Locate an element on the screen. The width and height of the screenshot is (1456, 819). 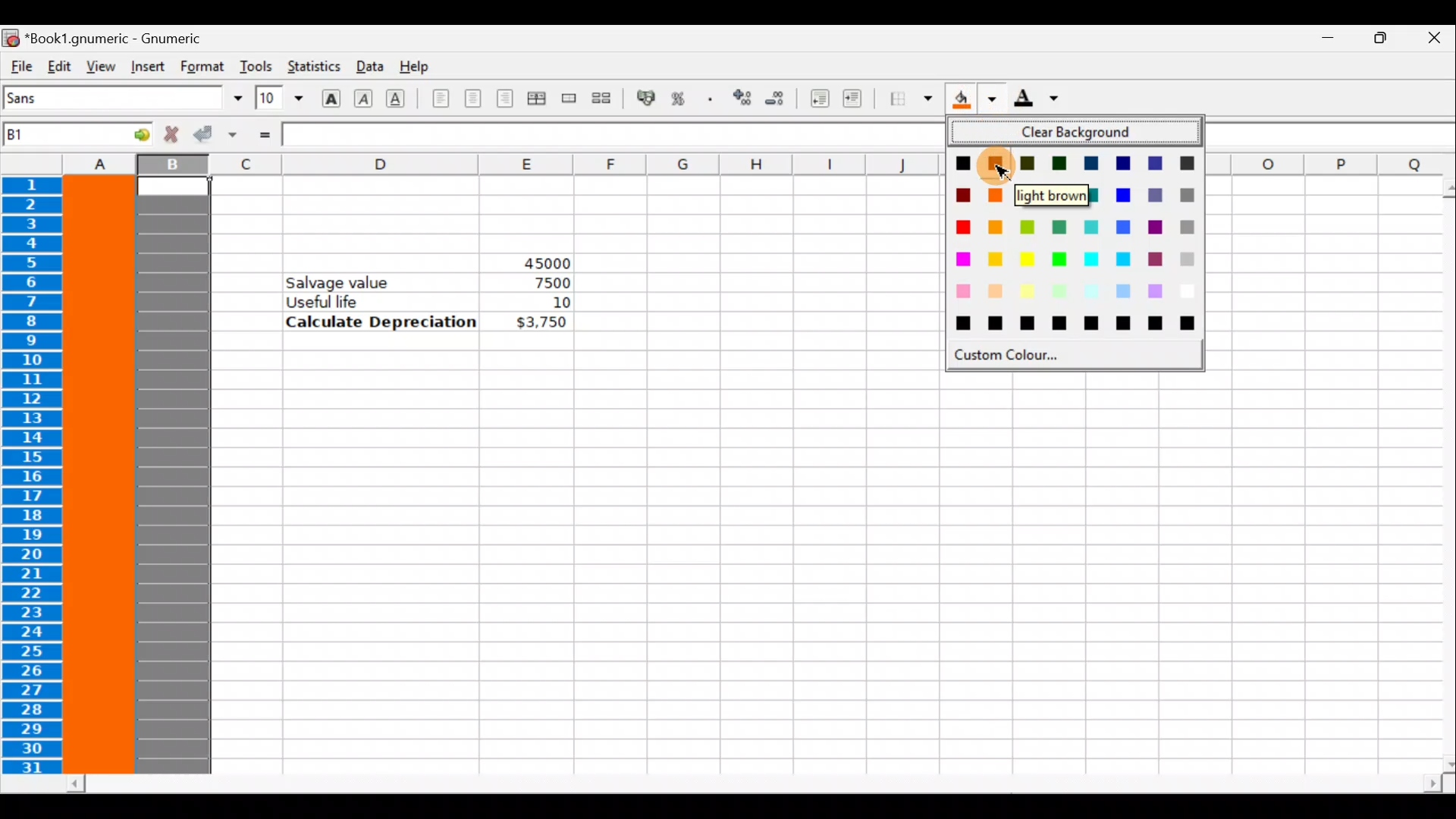
Custom color is located at coordinates (1022, 355).